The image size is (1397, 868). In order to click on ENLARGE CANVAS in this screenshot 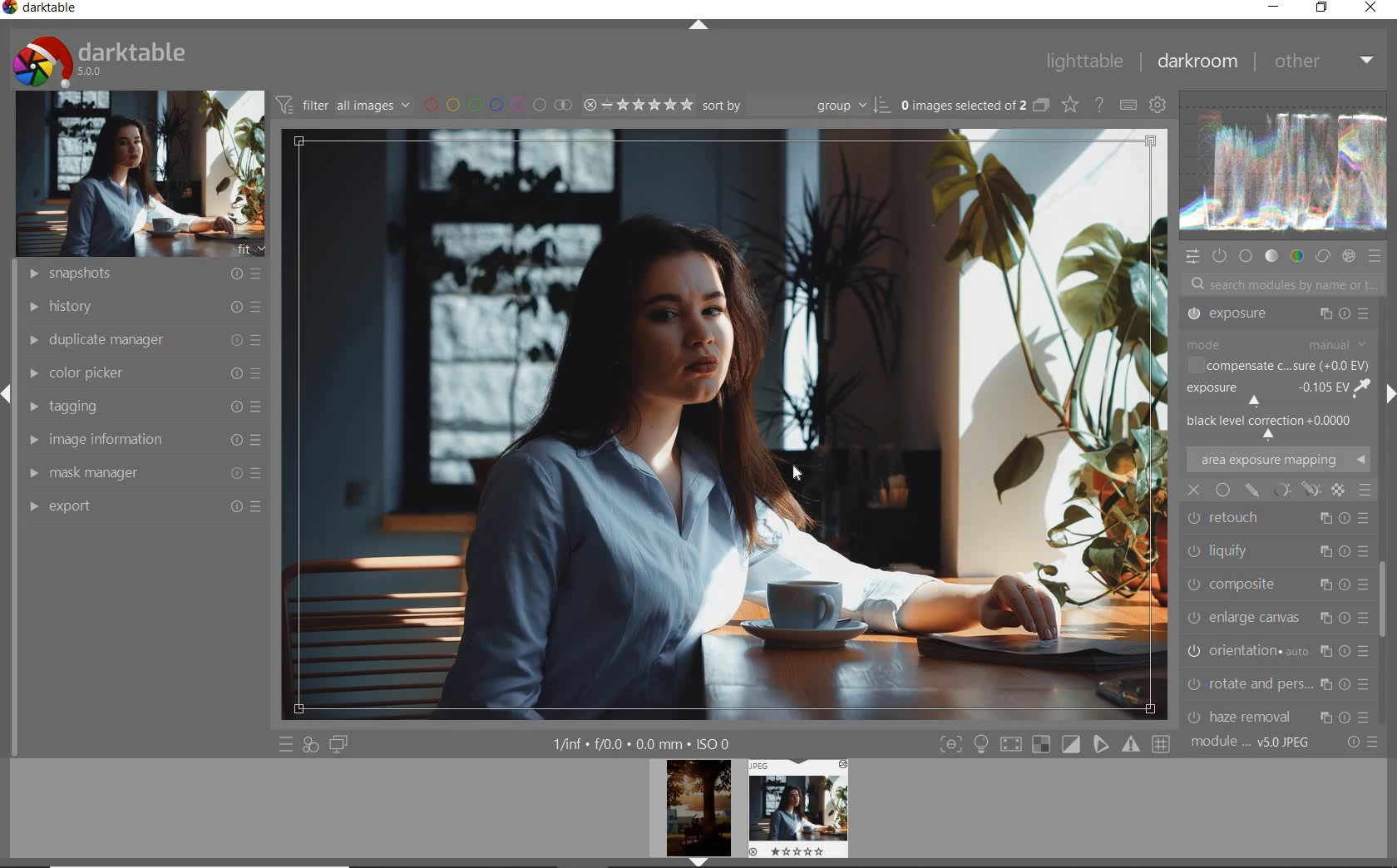, I will do `click(1277, 514)`.